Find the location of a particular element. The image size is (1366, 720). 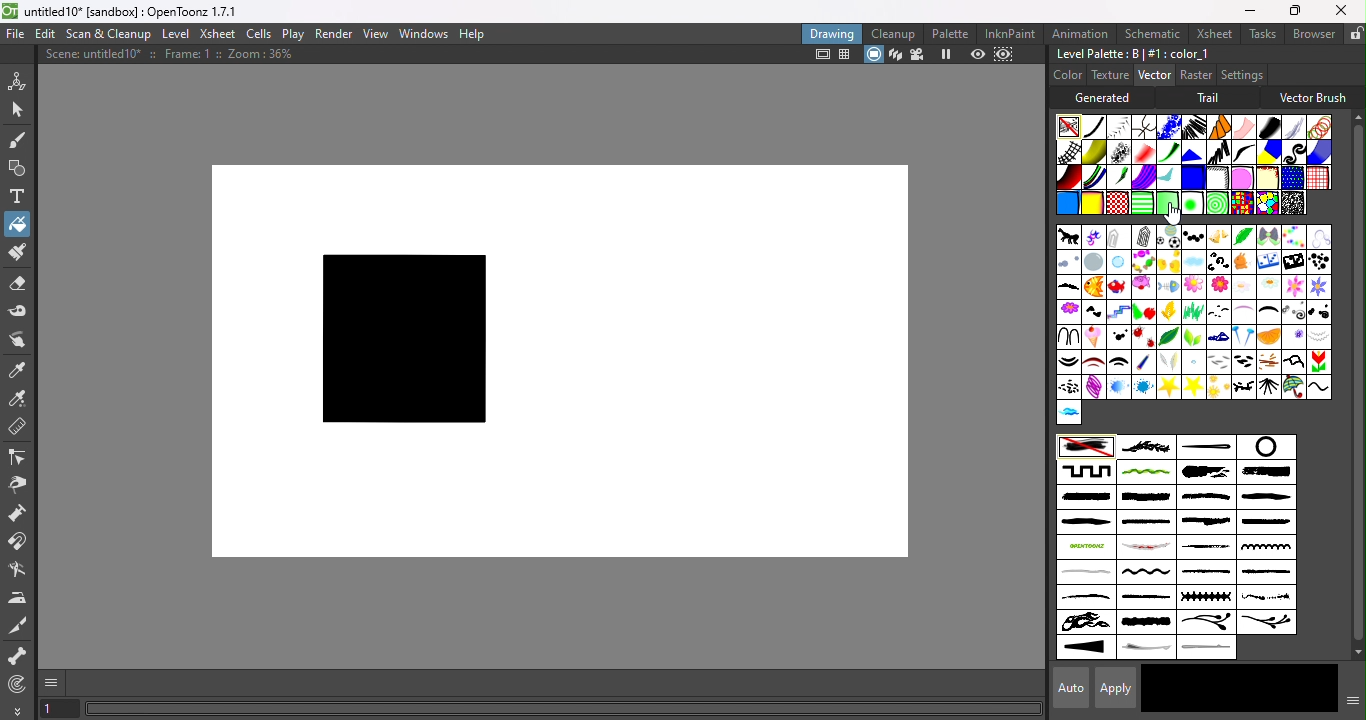

Flow4 is located at coordinates (1316, 287).